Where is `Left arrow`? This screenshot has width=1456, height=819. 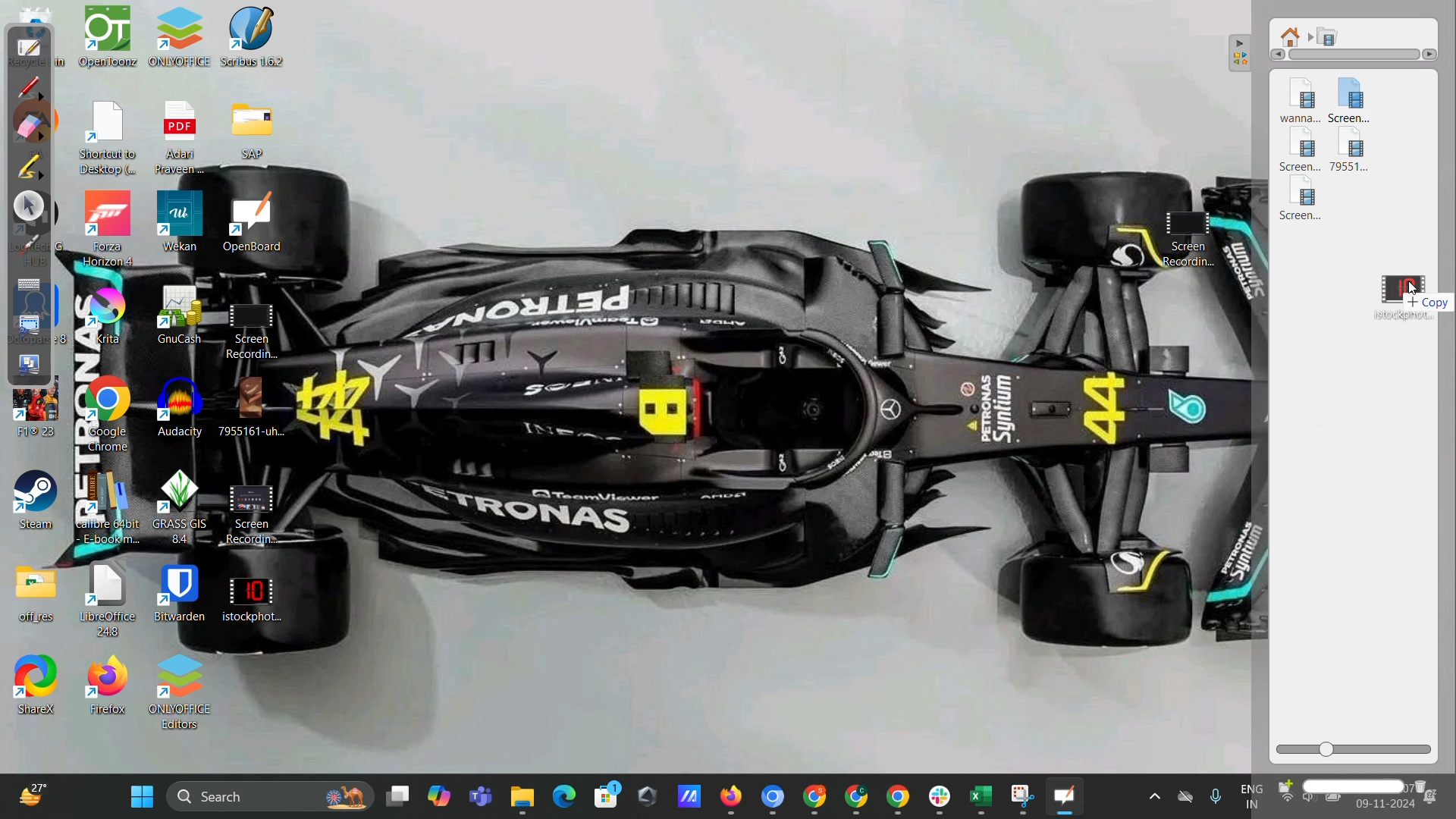
Left arrow is located at coordinates (1276, 58).